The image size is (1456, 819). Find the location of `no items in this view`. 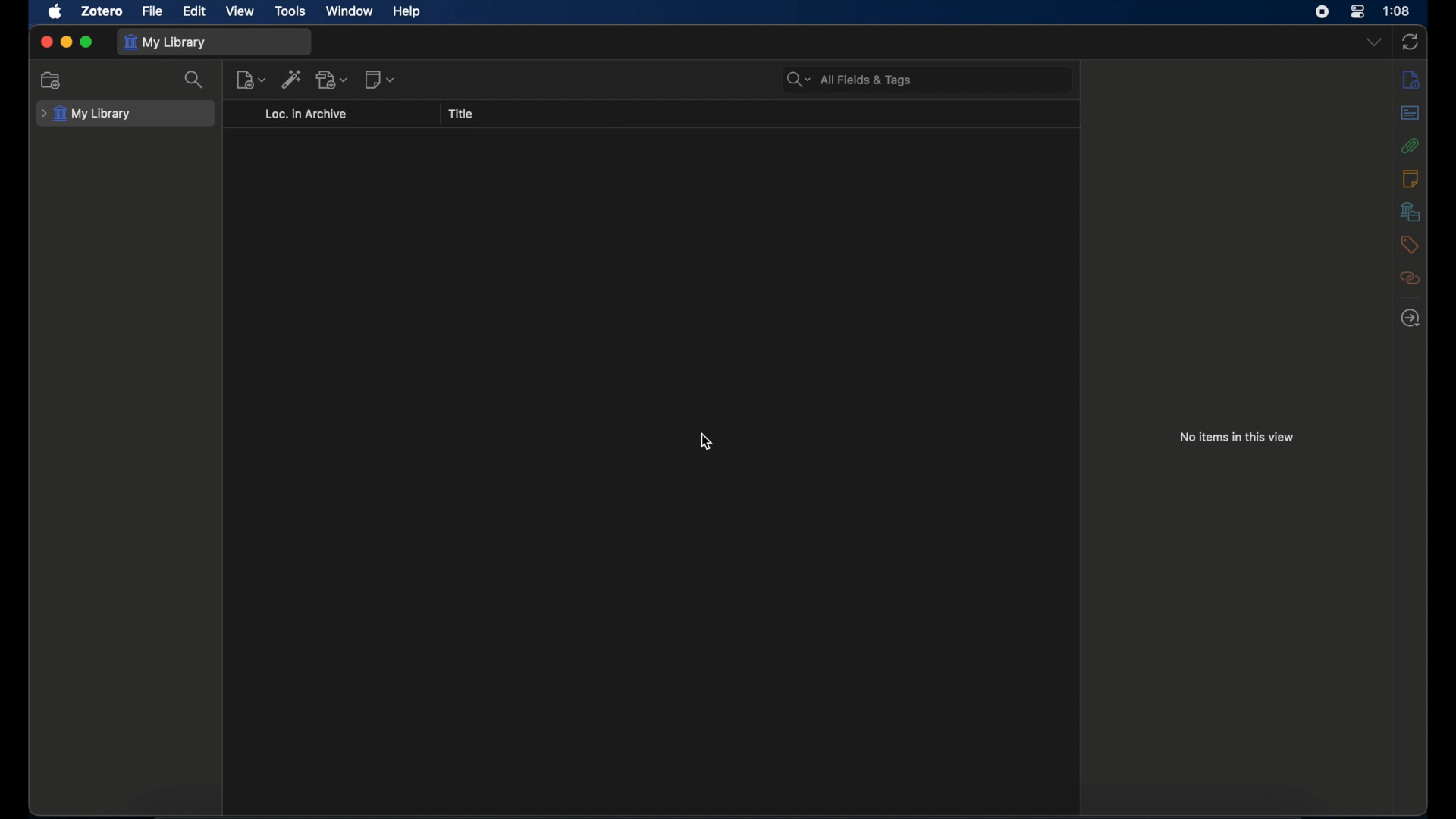

no items in this view is located at coordinates (1236, 438).